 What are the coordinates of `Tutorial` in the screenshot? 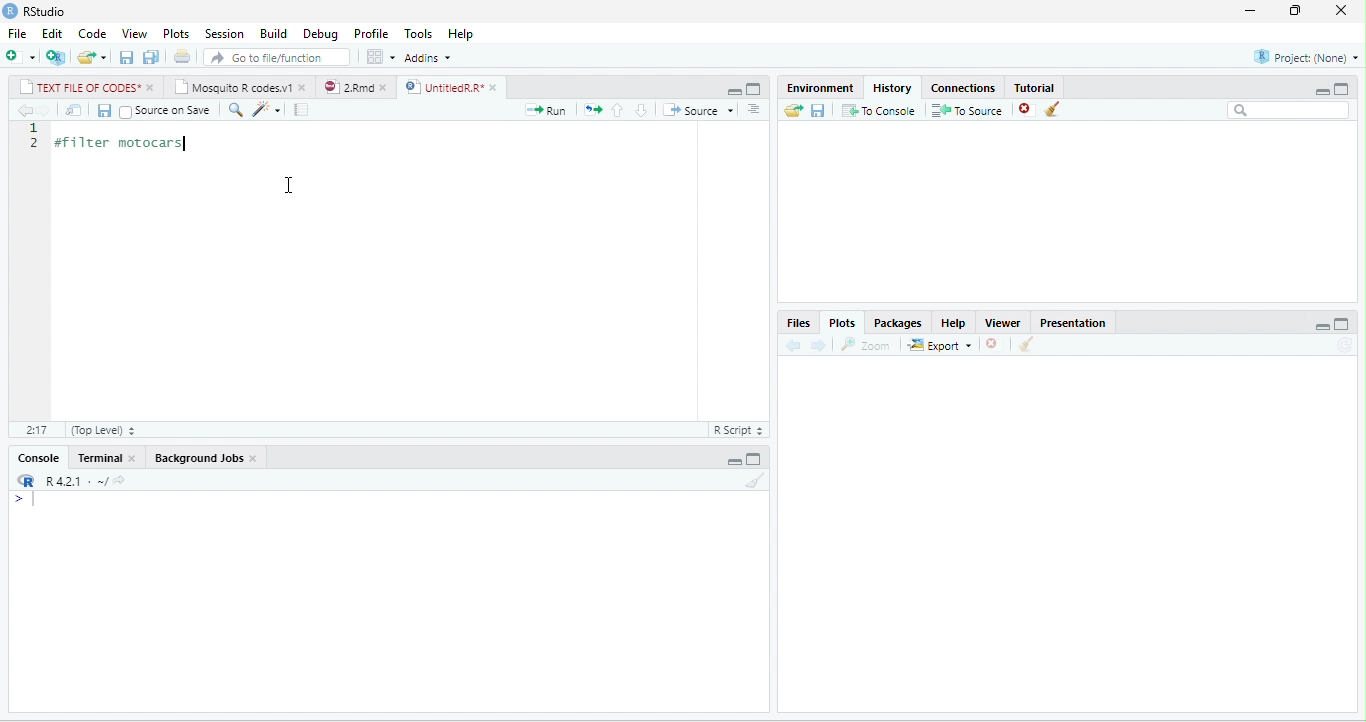 It's located at (1033, 87).